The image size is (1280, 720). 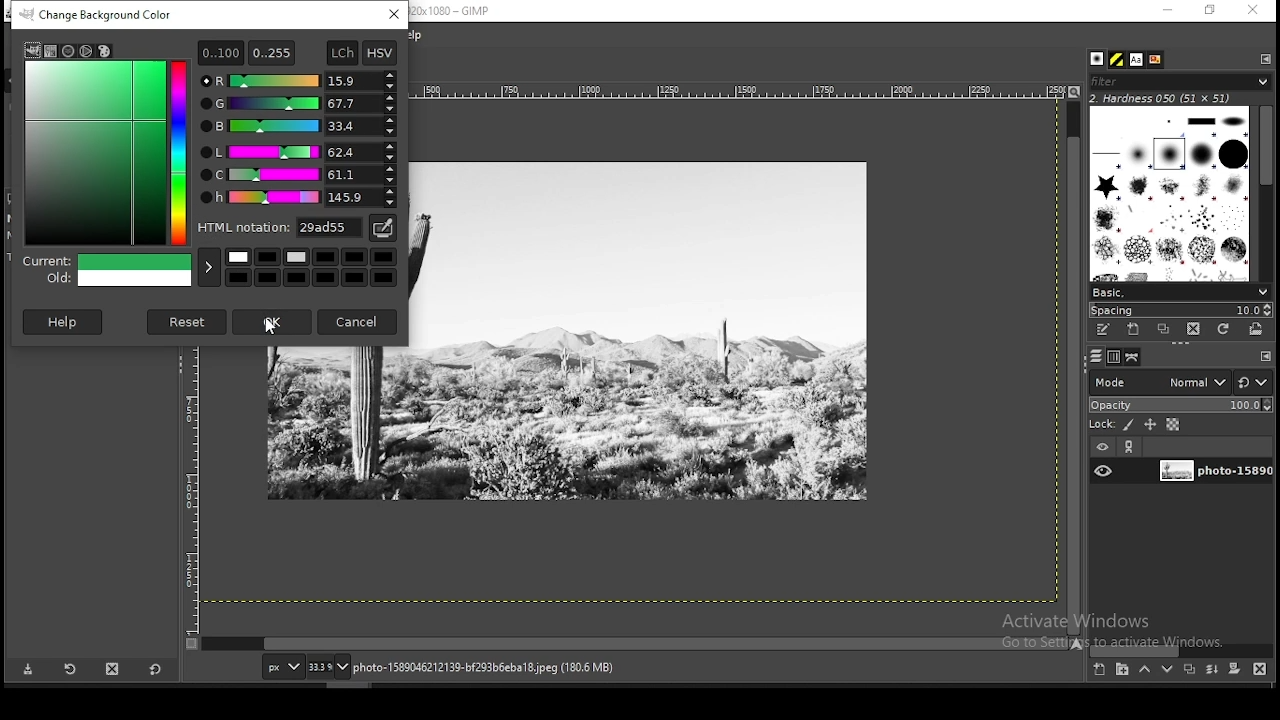 What do you see at coordinates (1074, 366) in the screenshot?
I see `scroll bar` at bounding box center [1074, 366].